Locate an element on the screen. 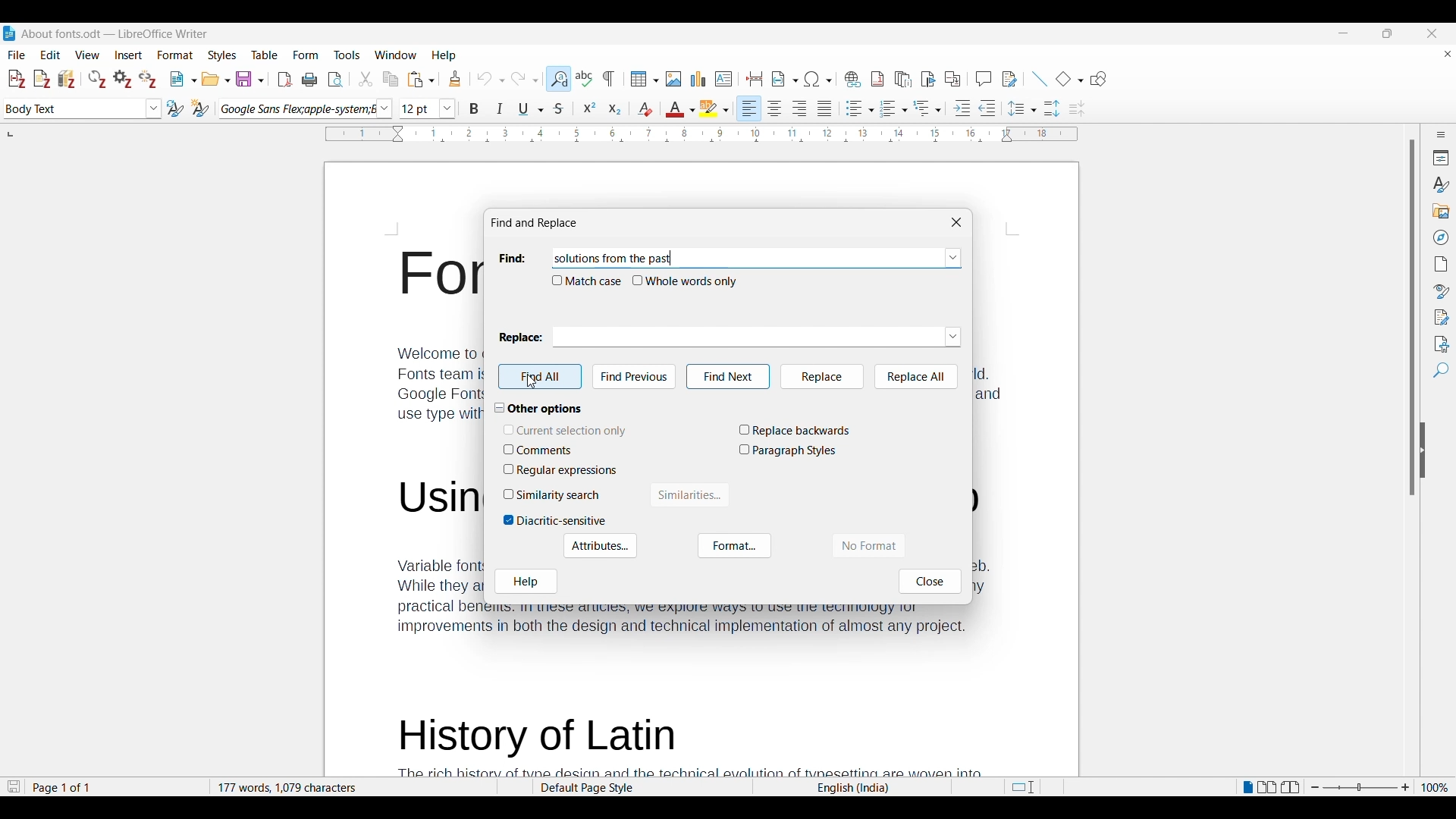 This screenshot has height=819, width=1456. Highlight color options and current selection is located at coordinates (714, 108).